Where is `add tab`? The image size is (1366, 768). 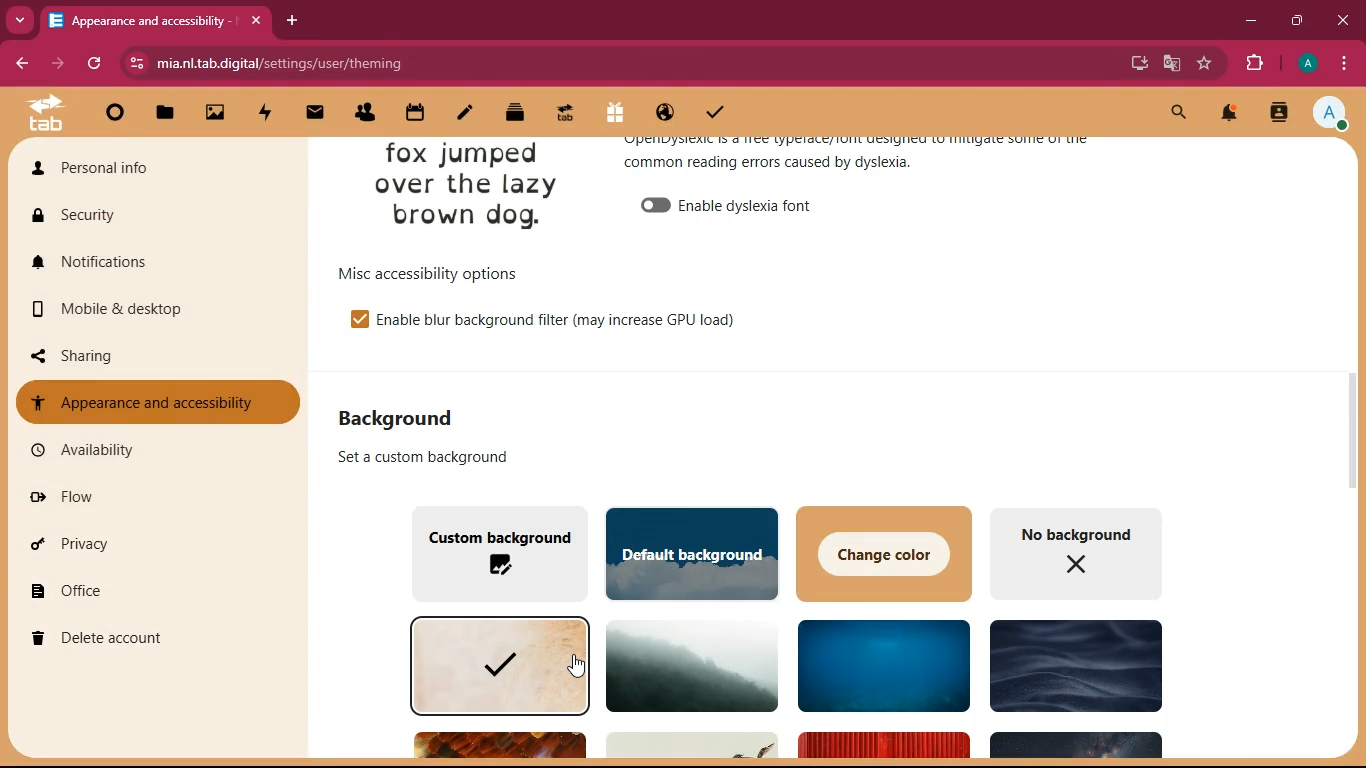
add tab is located at coordinates (289, 20).